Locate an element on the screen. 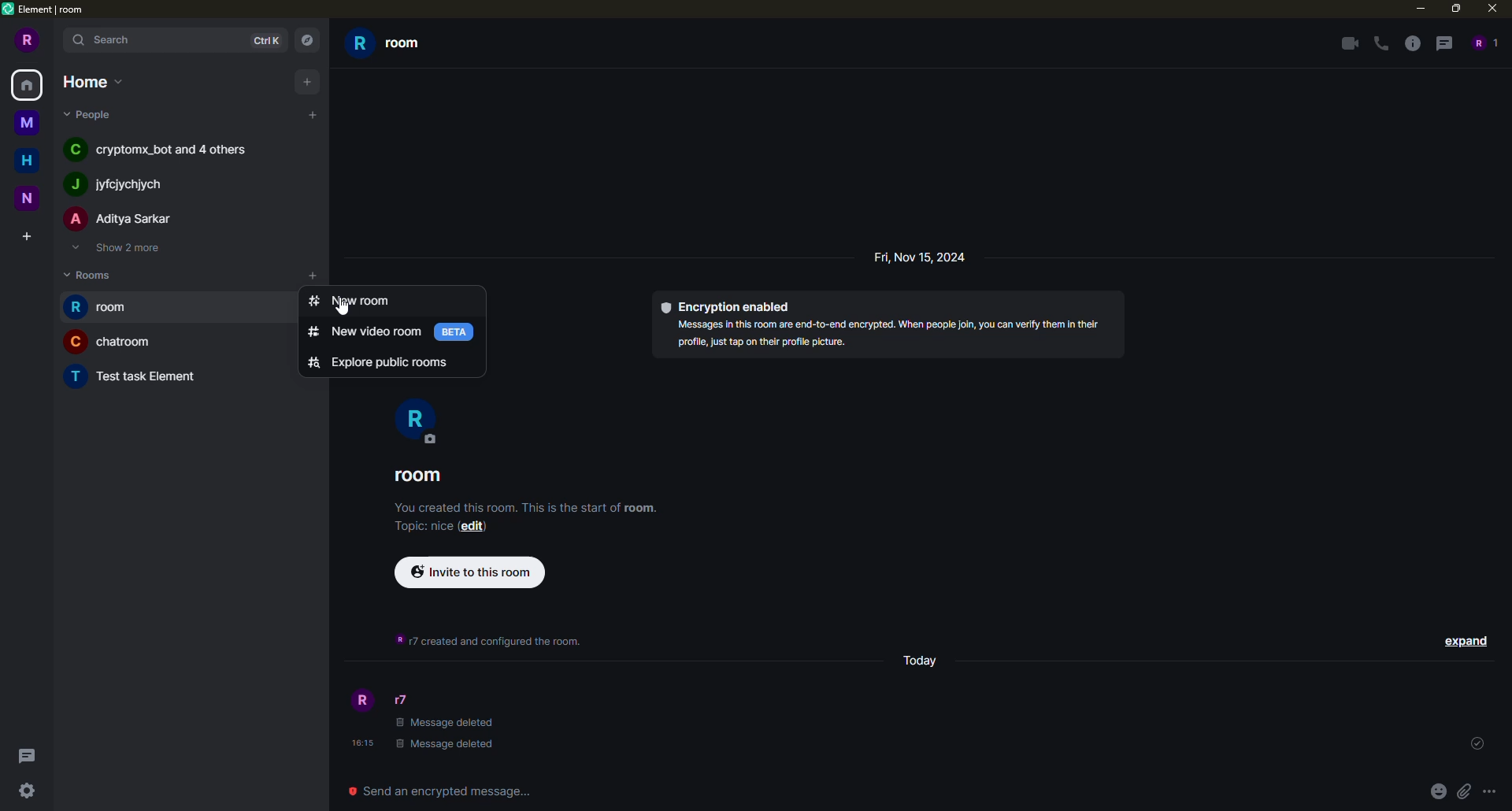  new room is located at coordinates (354, 300).